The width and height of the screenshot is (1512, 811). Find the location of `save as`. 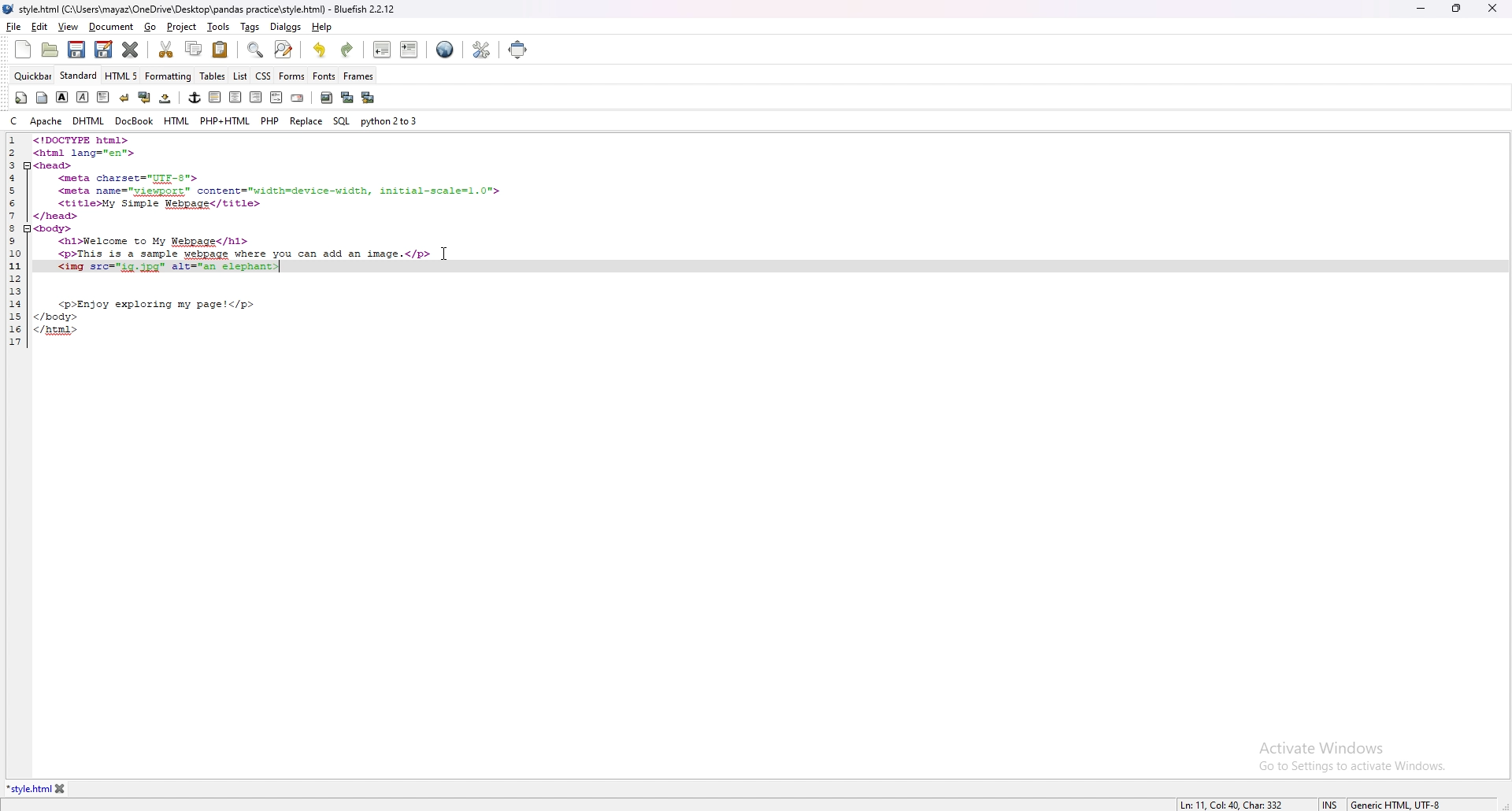

save as is located at coordinates (103, 50).